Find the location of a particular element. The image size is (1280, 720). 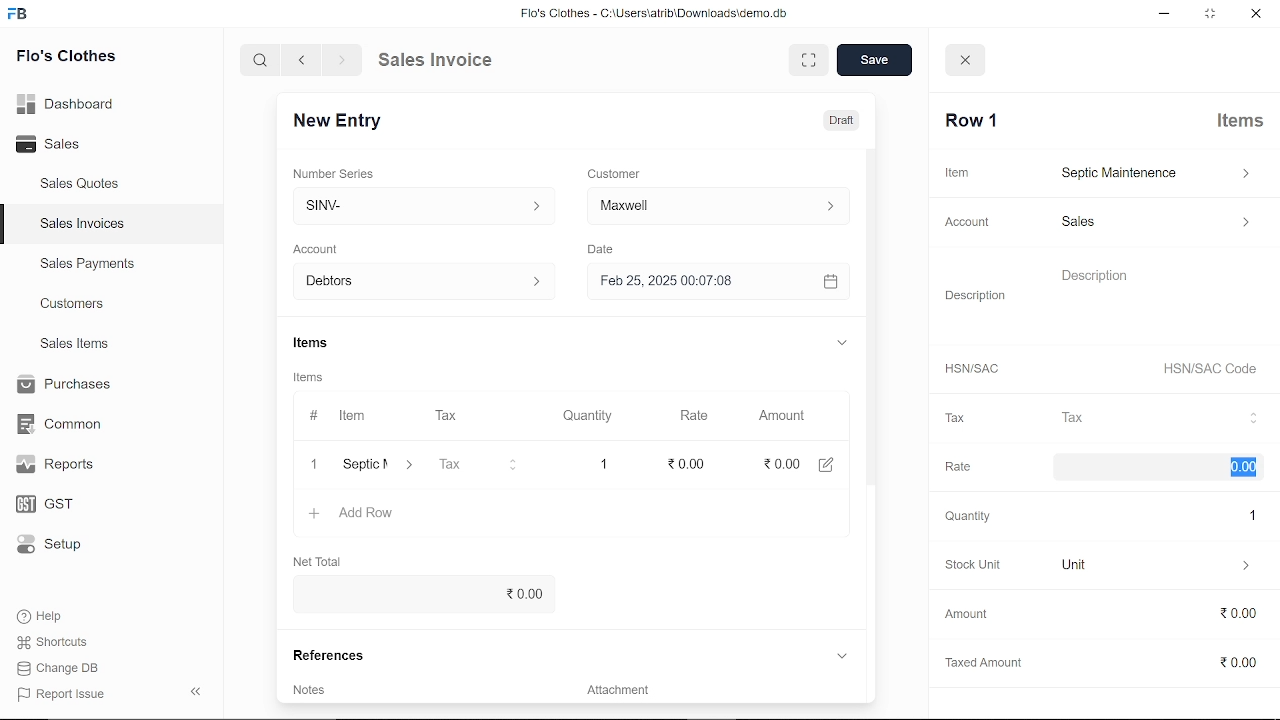

0.00 is located at coordinates (1230, 664).